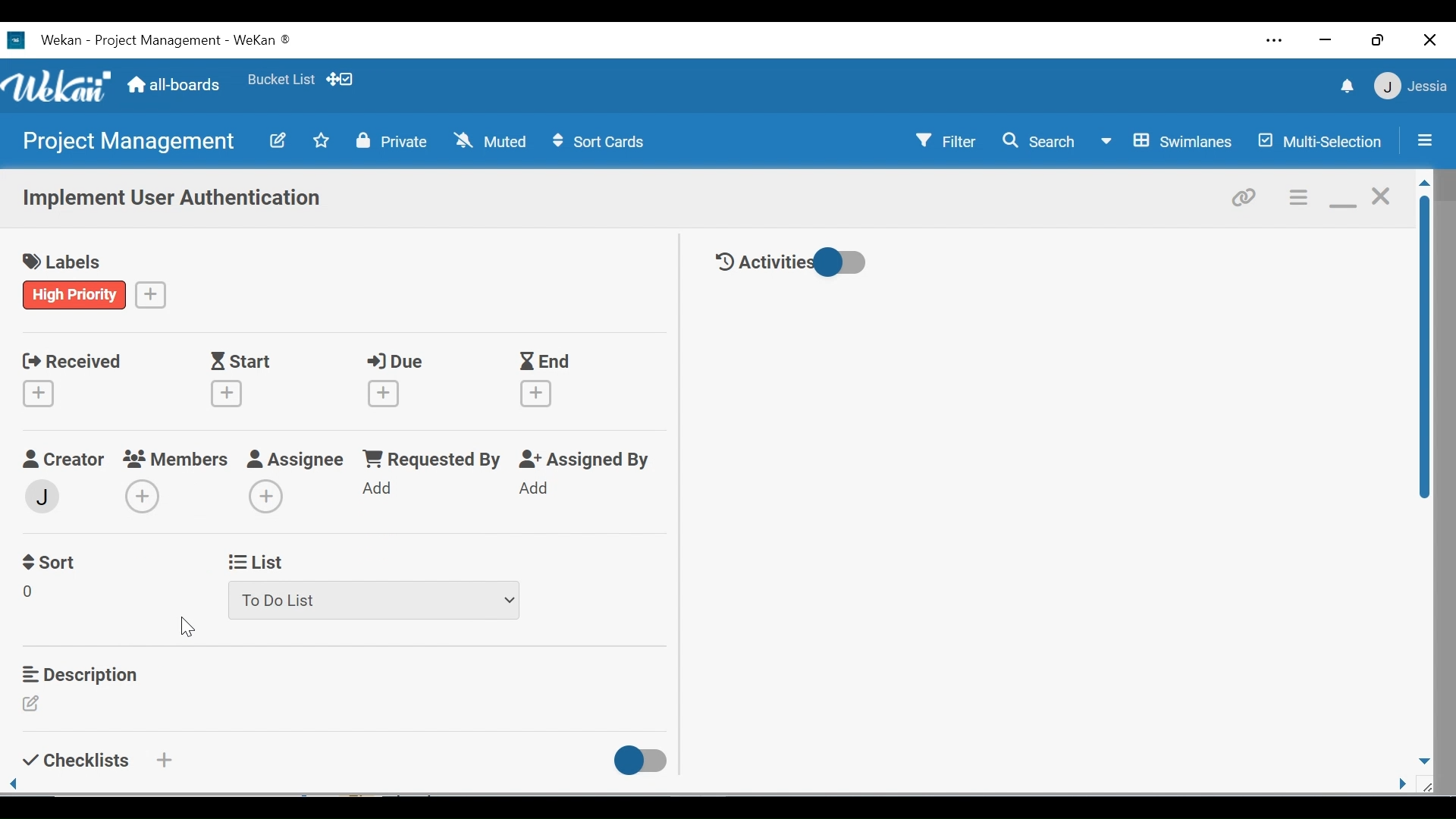  Describe the element at coordinates (1170, 143) in the screenshot. I see ` Swimlanes` at that location.